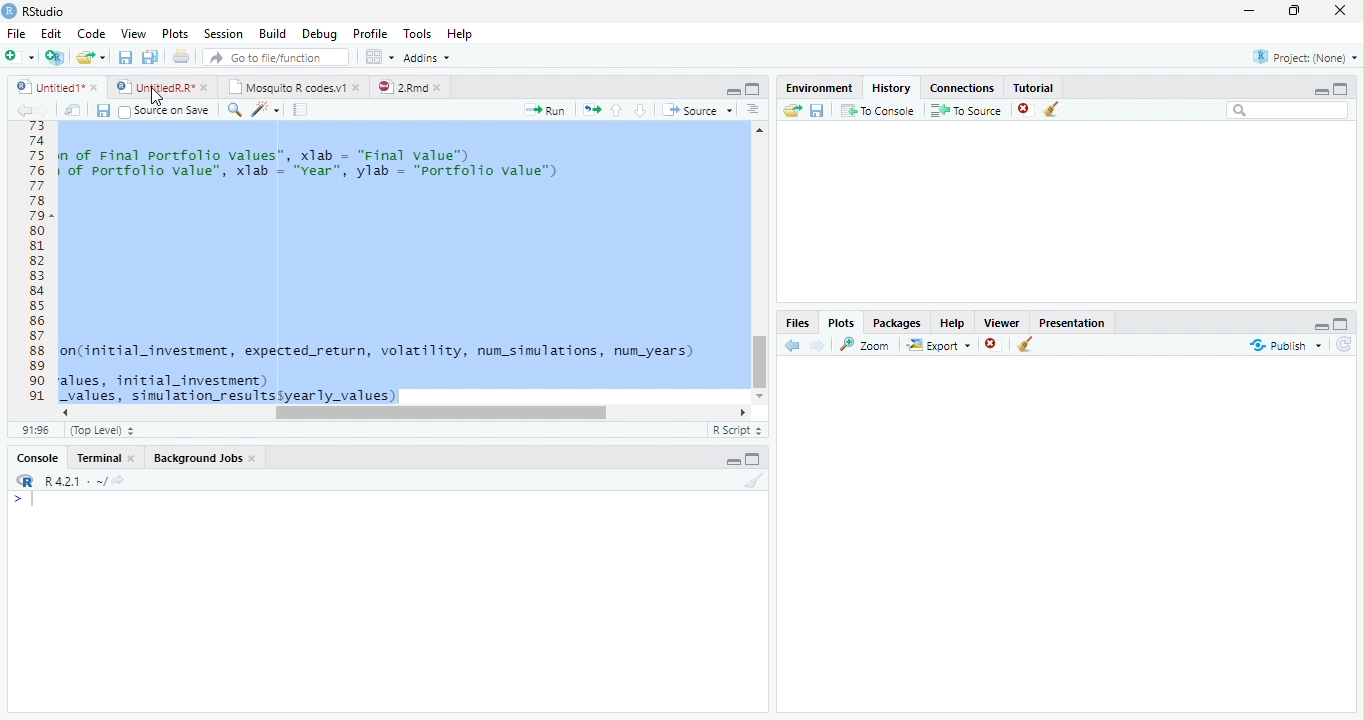 This screenshot has width=1364, height=720. Describe the element at coordinates (235, 110) in the screenshot. I see `Find and replace` at that location.